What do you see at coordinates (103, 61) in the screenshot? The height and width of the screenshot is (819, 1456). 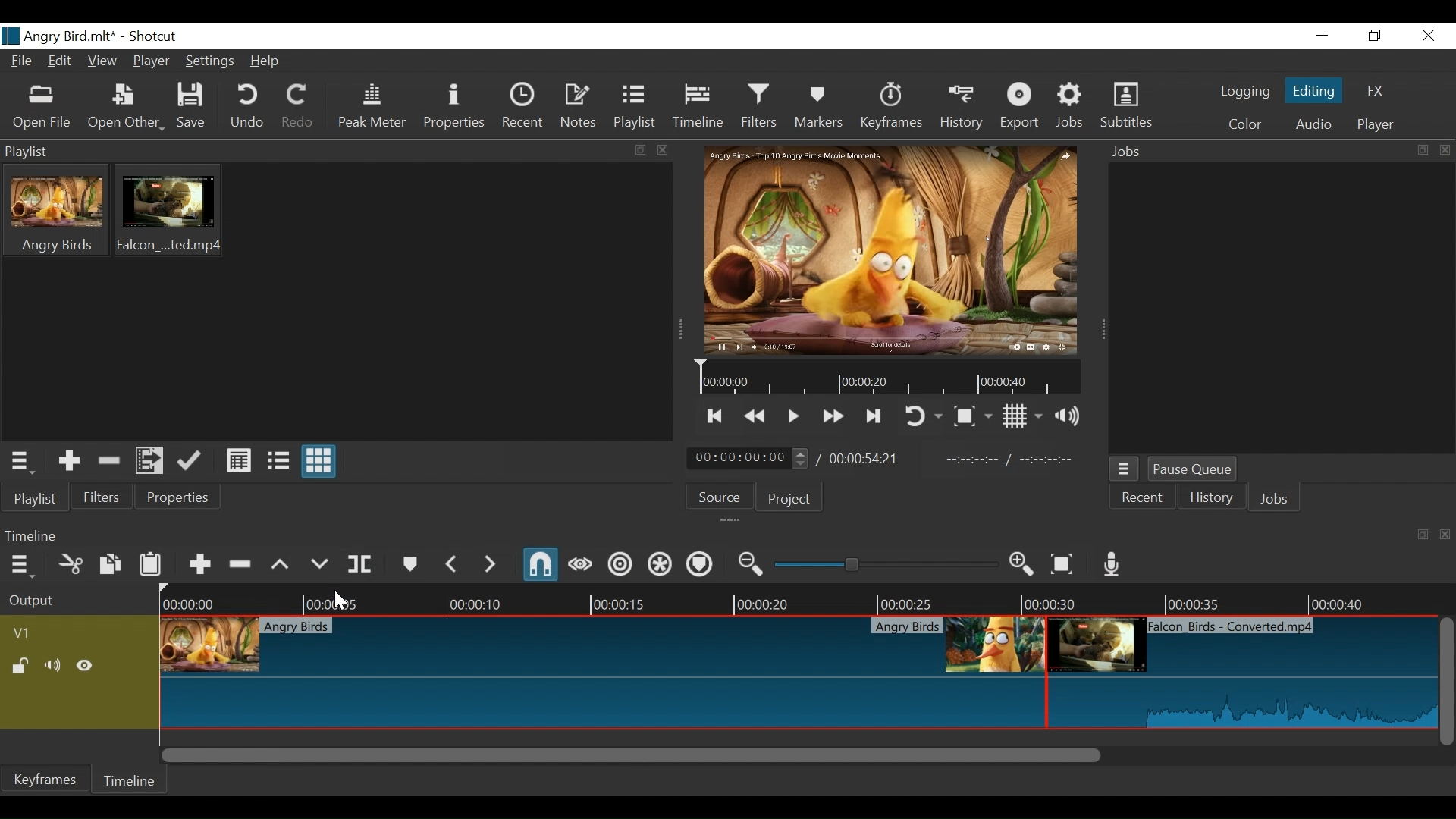 I see `View` at bounding box center [103, 61].